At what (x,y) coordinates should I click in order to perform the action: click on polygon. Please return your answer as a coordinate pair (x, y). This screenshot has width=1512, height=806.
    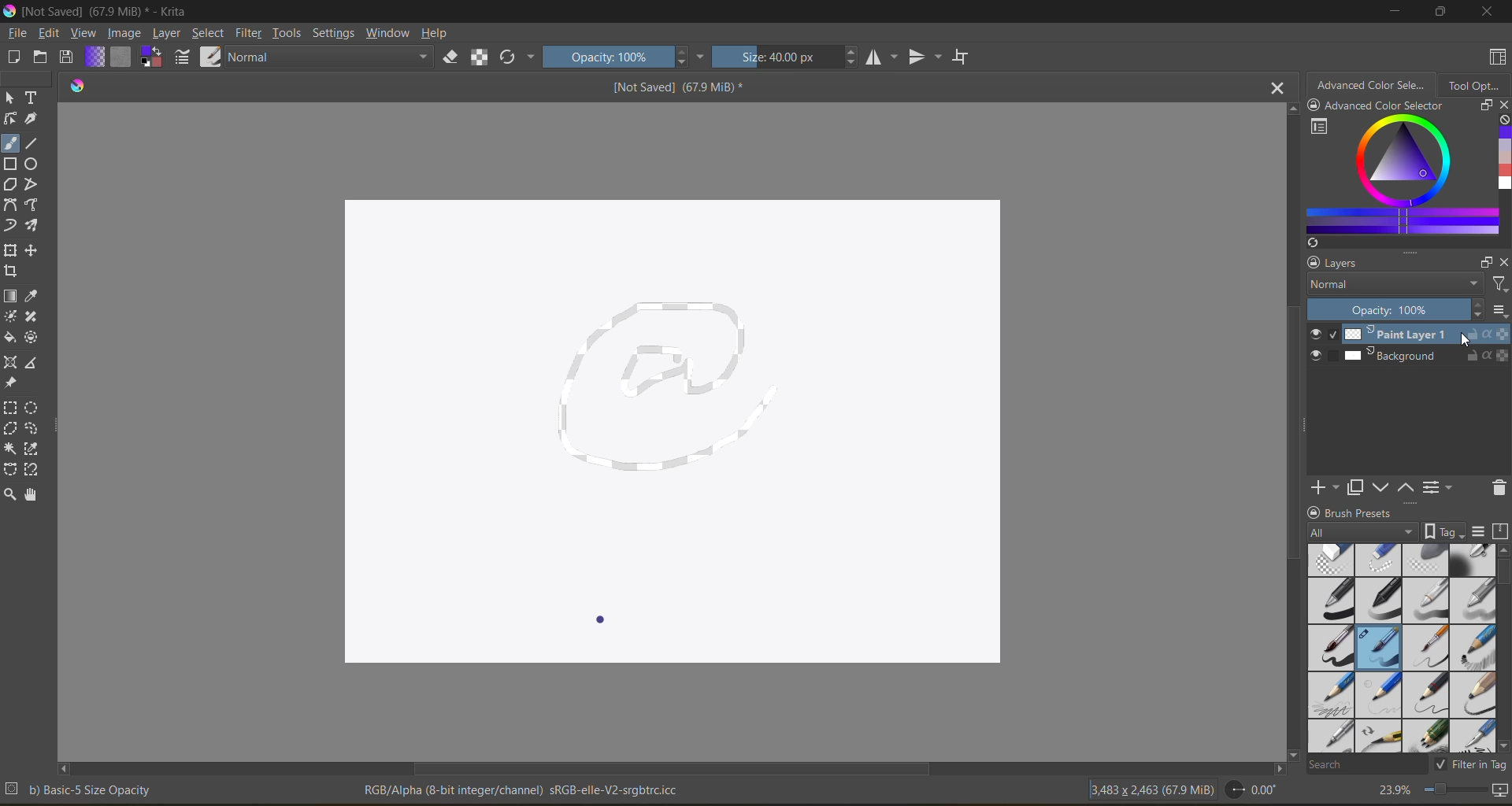
    Looking at the image, I should click on (10, 185).